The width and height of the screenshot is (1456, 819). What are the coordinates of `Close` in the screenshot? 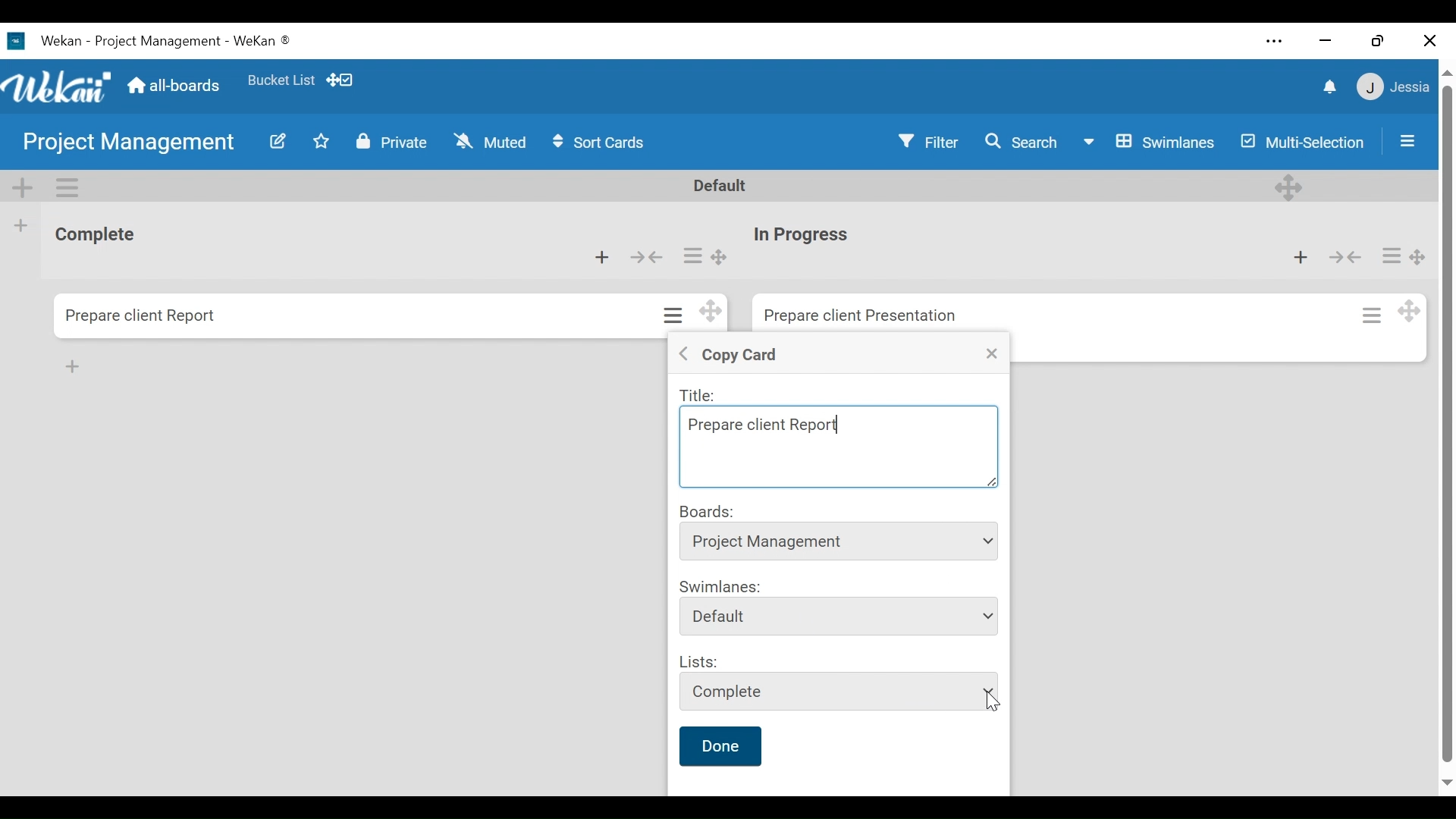 It's located at (993, 354).